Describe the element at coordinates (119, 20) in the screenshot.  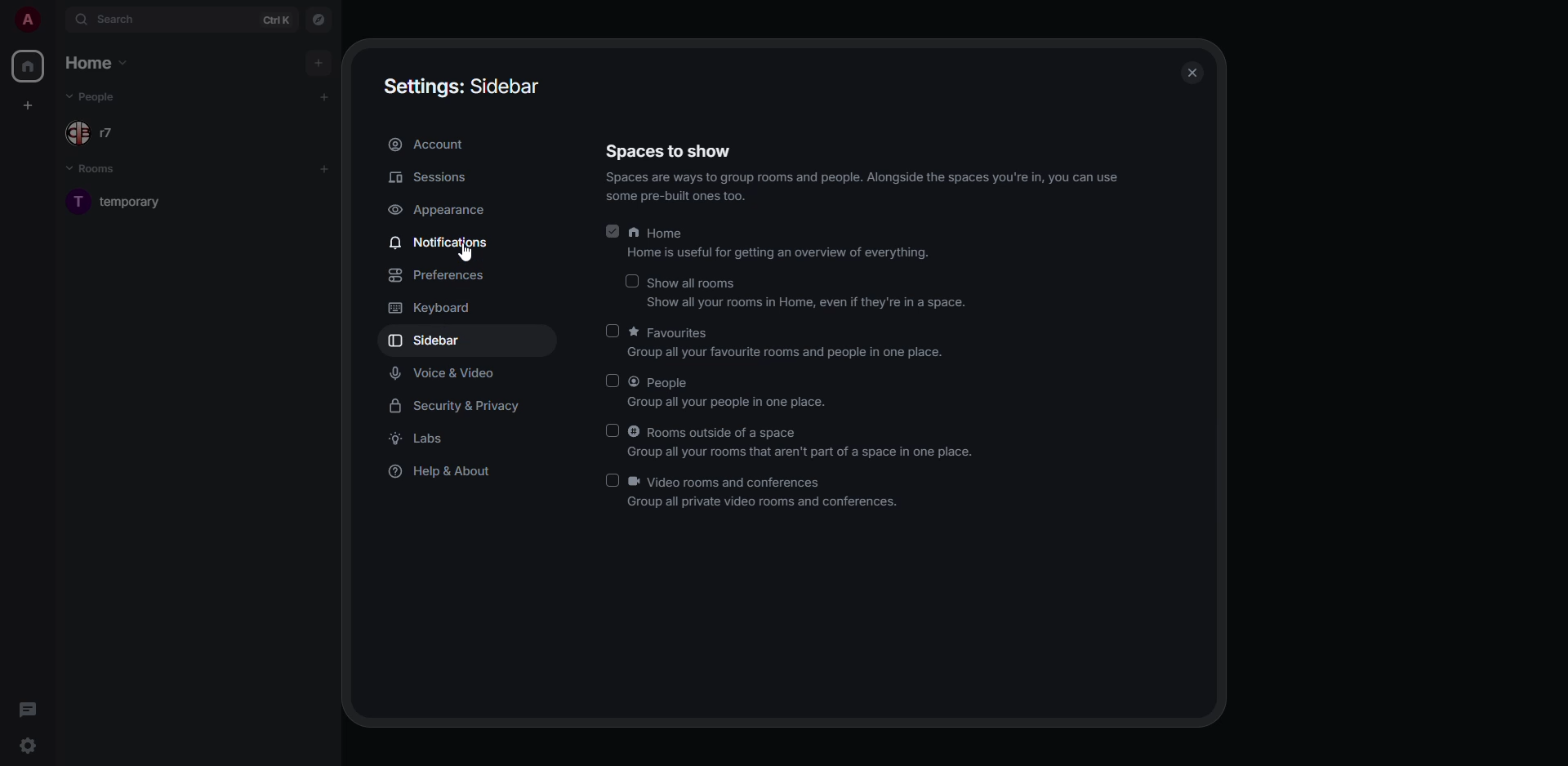
I see `search` at that location.